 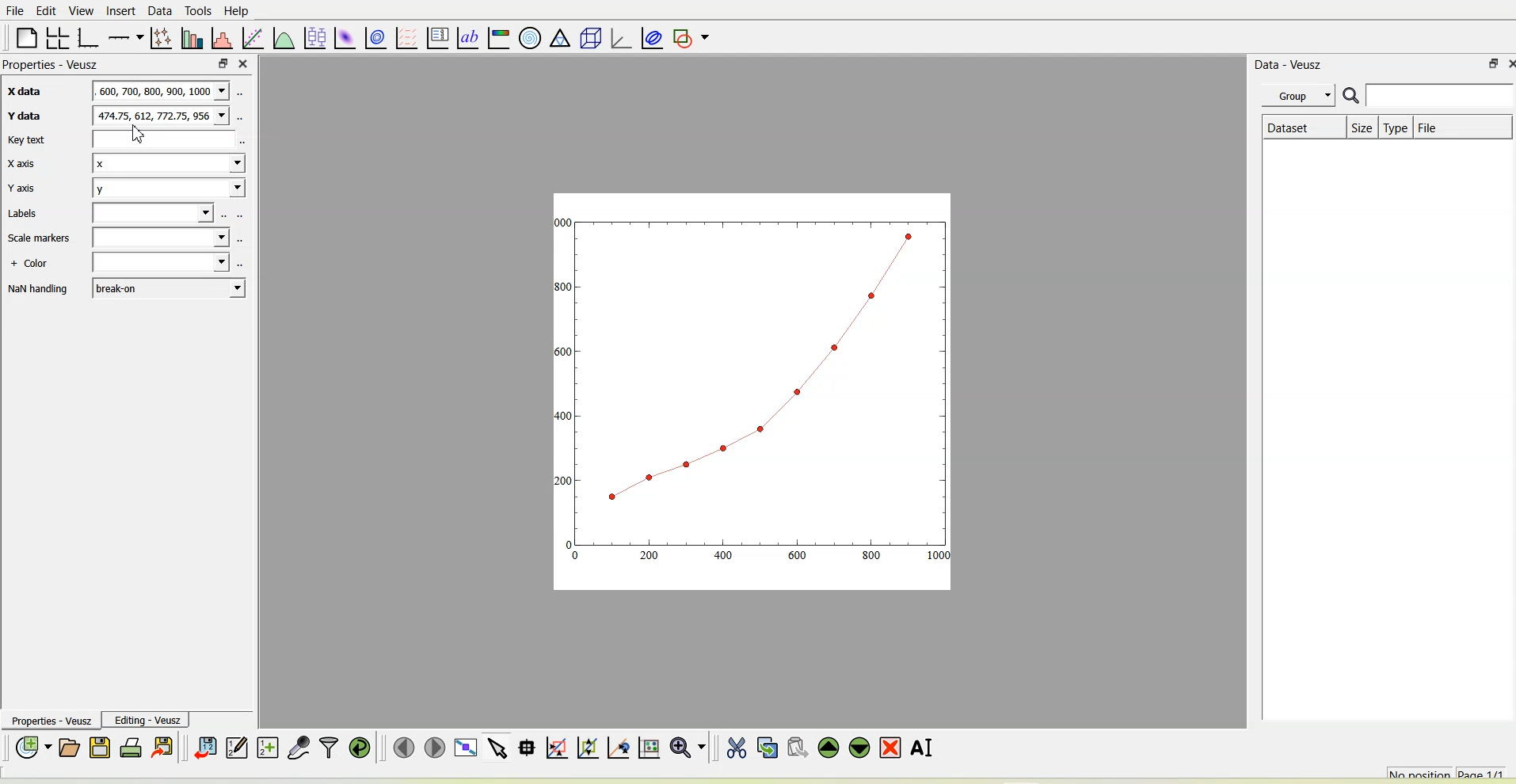 I want to click on Group, so click(x=1301, y=94).